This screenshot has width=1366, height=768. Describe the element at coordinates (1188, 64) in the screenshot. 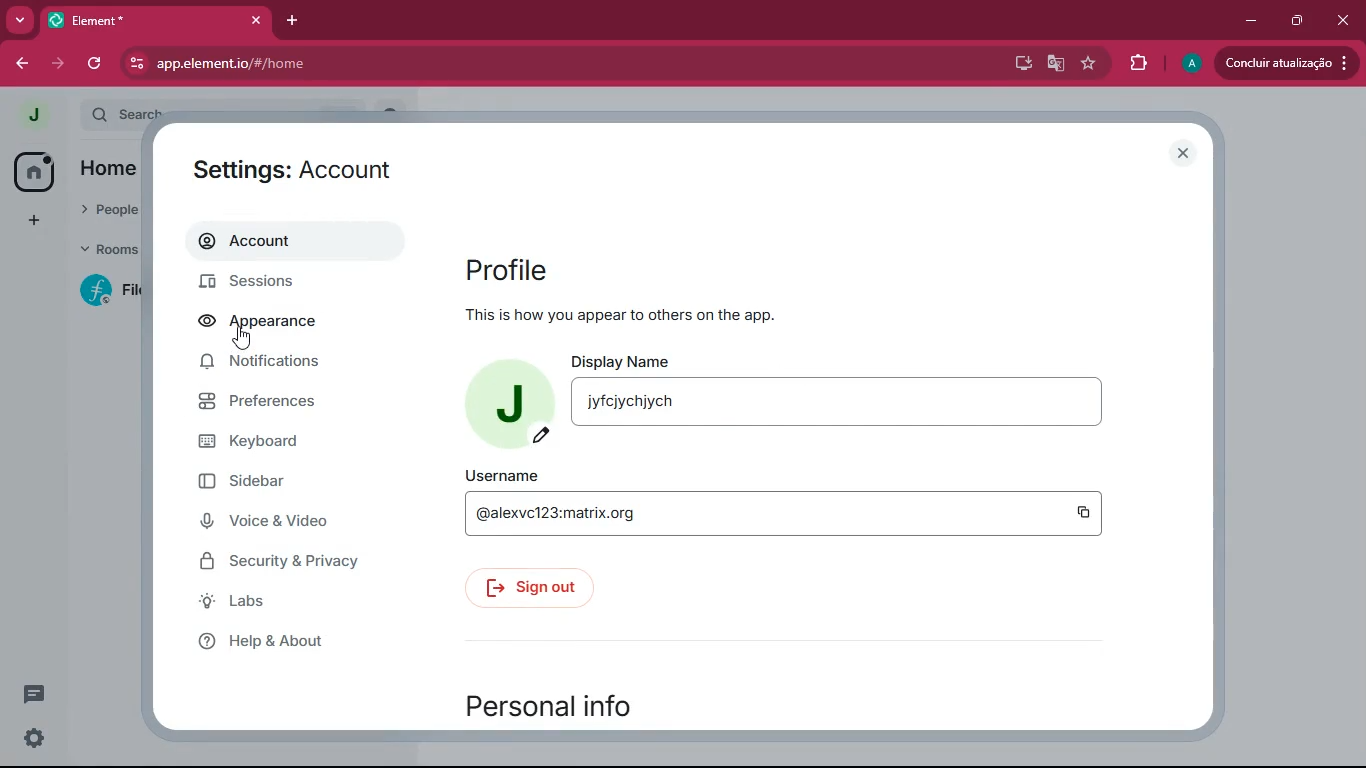

I see `profile` at that location.